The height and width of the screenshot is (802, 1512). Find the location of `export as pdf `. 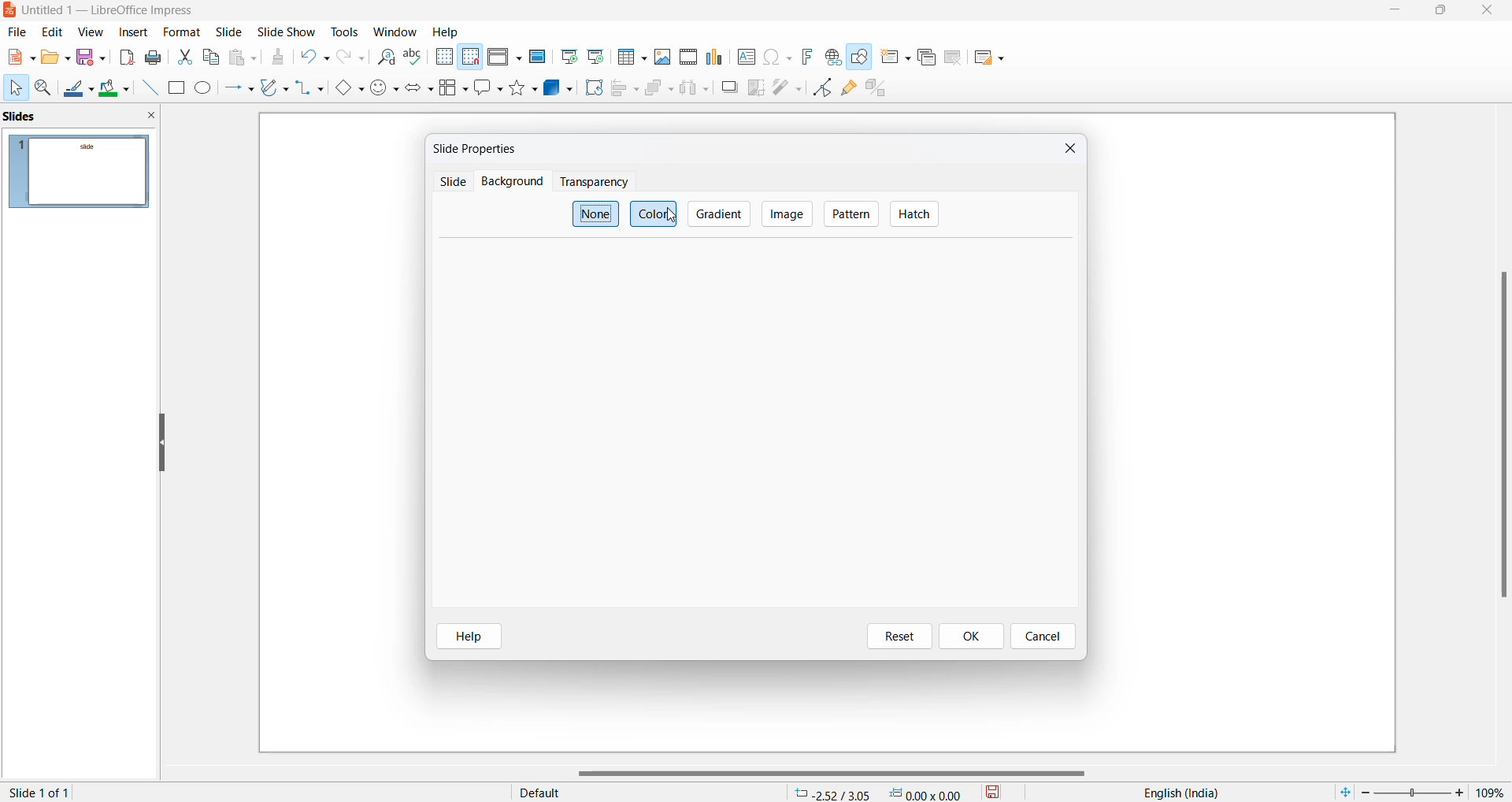

export as pdf  is located at coordinates (126, 57).